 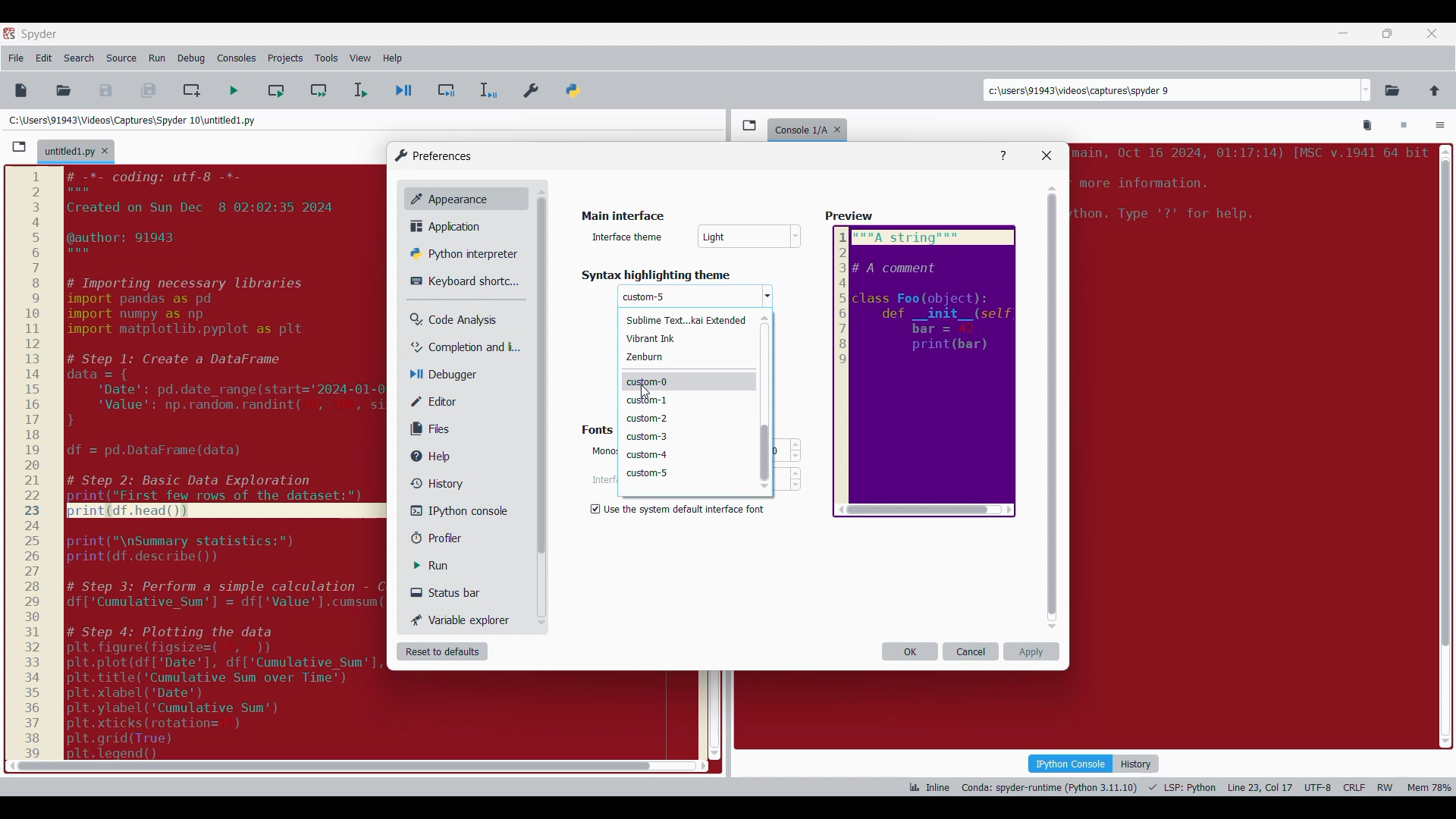 I want to click on Help menu, so click(x=392, y=58).